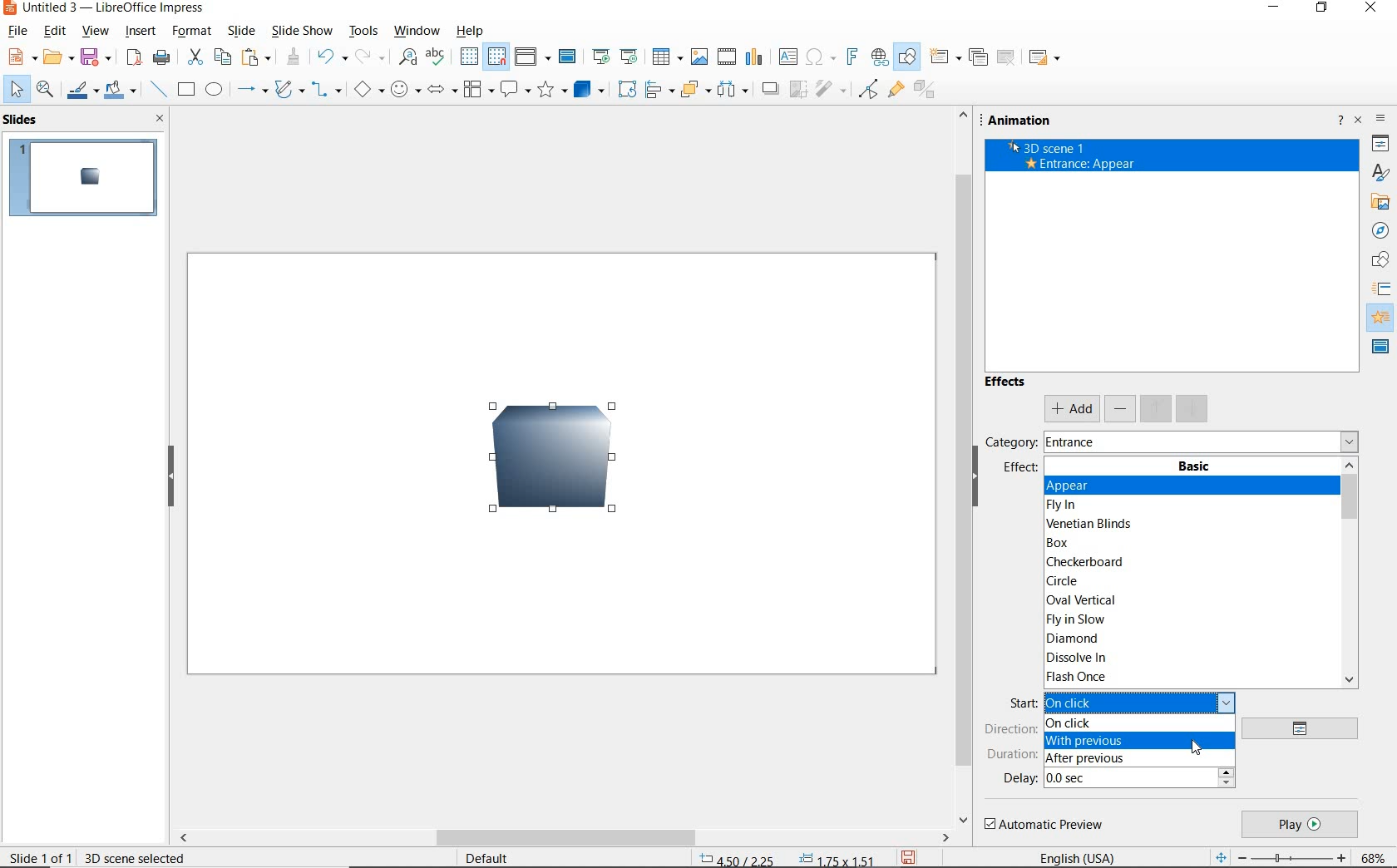  Describe the element at coordinates (1349, 575) in the screenshot. I see `SCROLLBAR` at that location.